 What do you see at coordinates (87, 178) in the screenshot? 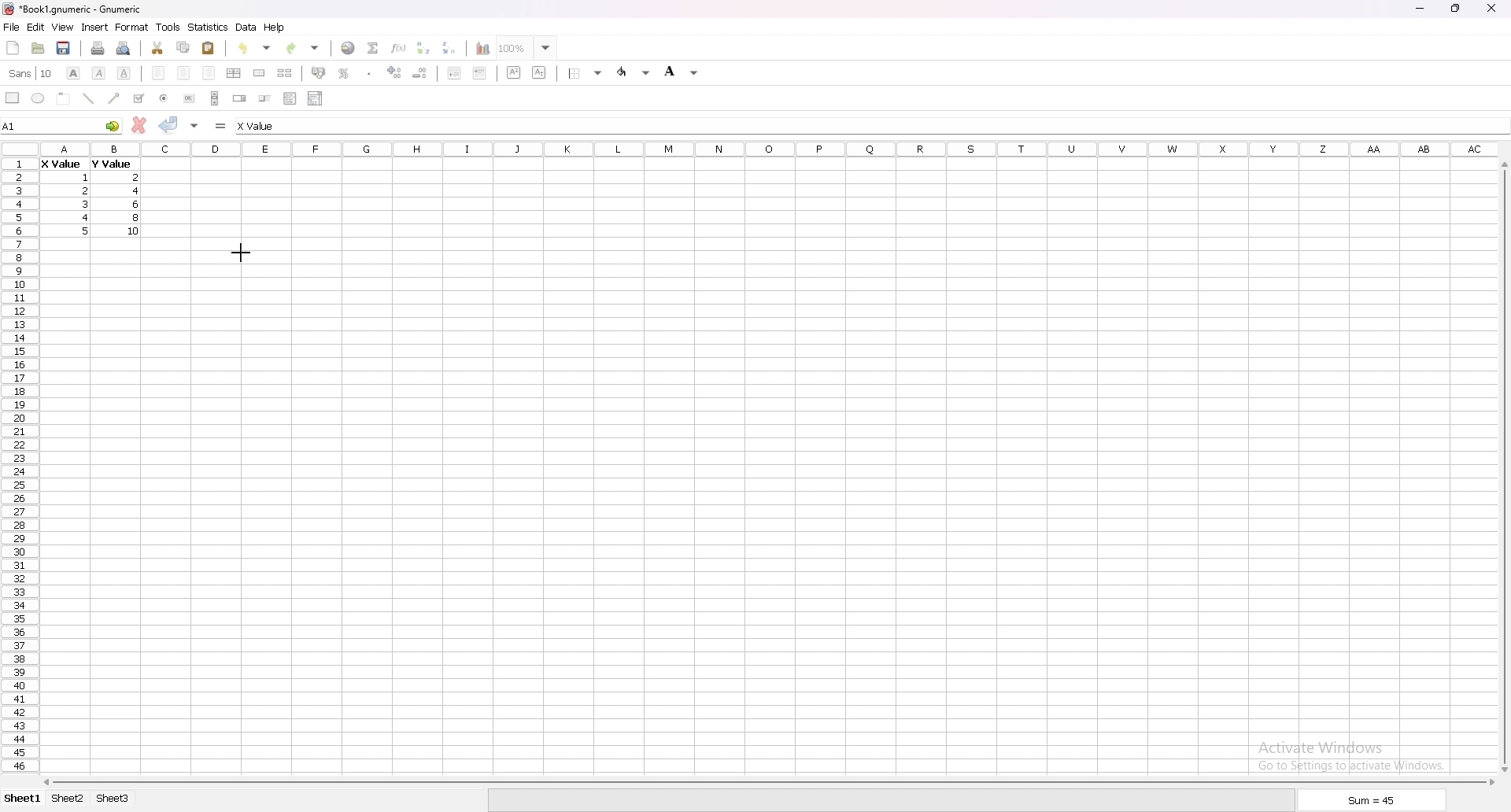
I see `value` at bounding box center [87, 178].